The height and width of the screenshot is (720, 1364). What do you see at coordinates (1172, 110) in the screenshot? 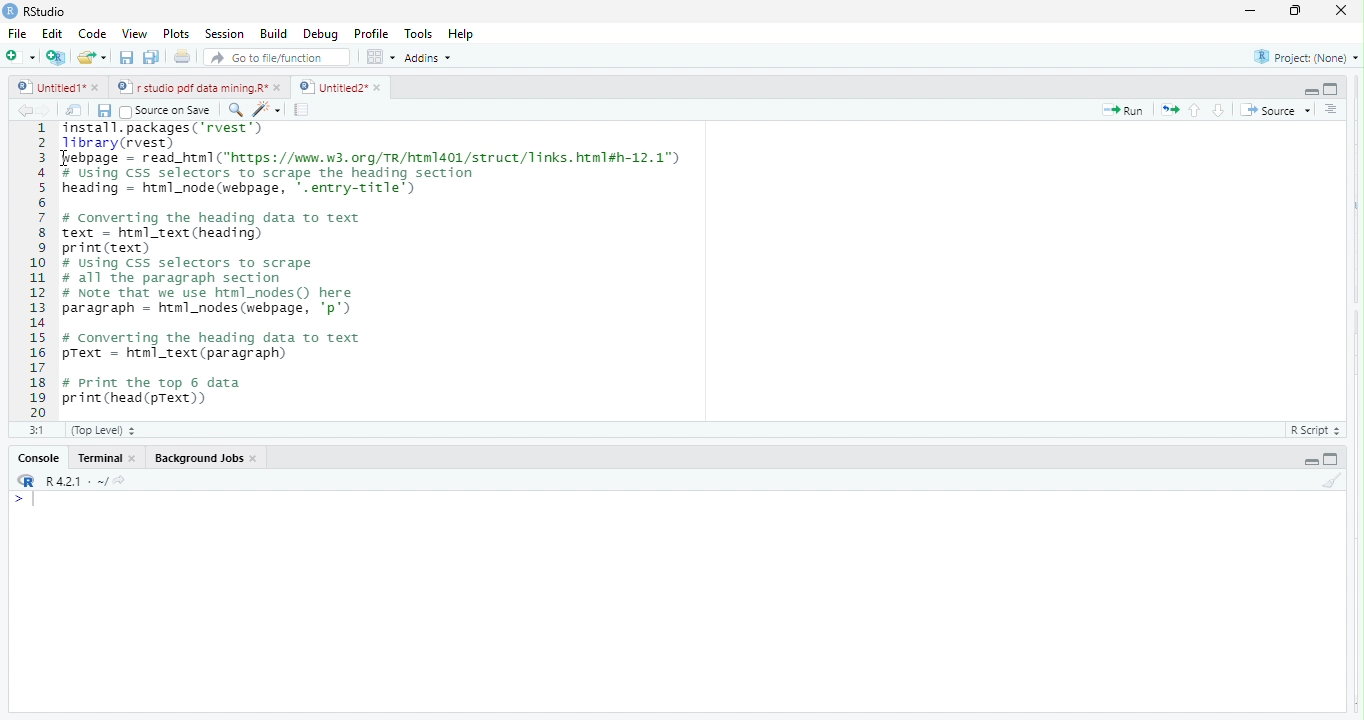
I see `re run the previous code` at bounding box center [1172, 110].